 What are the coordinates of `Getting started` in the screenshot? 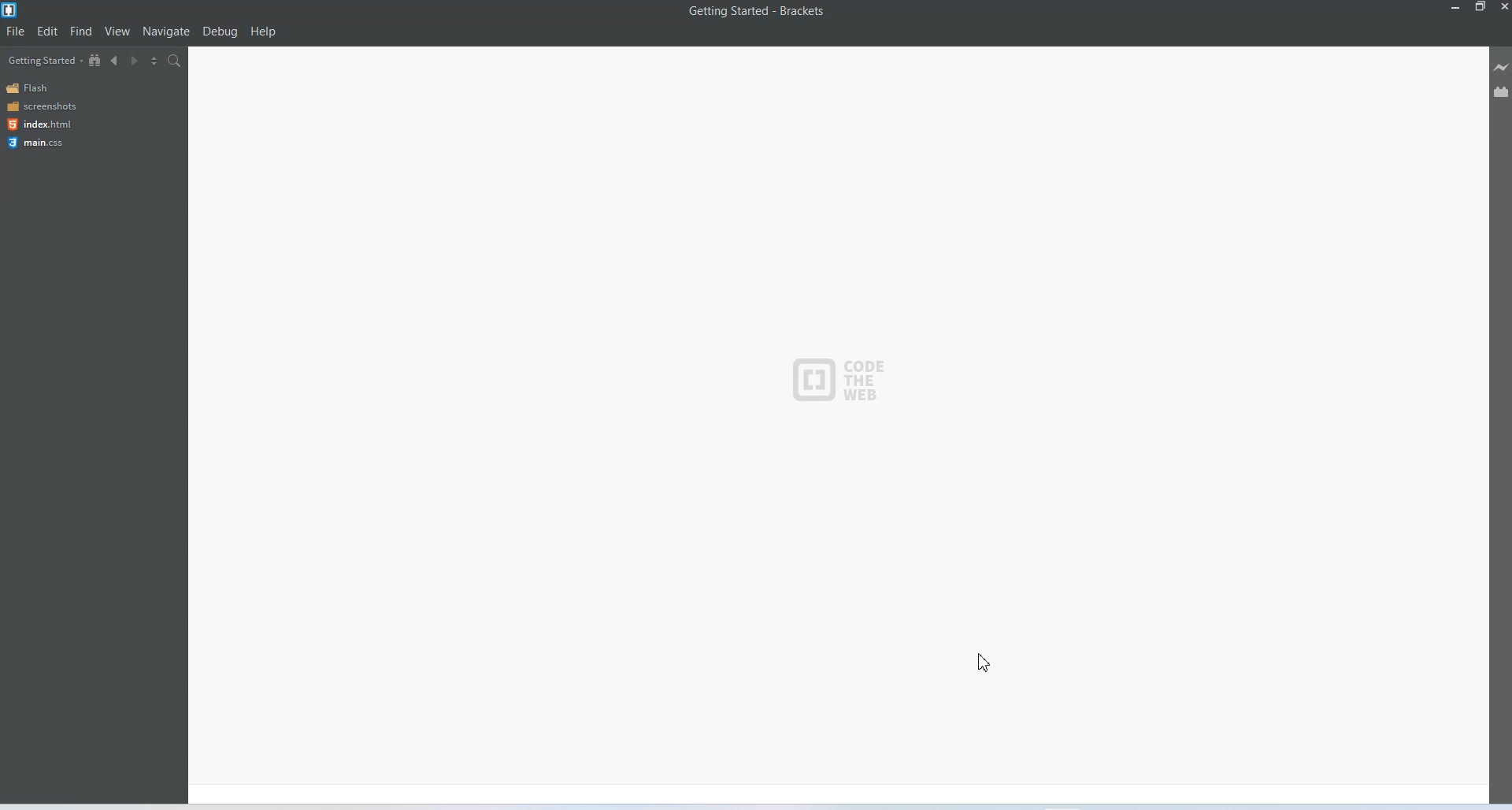 It's located at (719, 10).